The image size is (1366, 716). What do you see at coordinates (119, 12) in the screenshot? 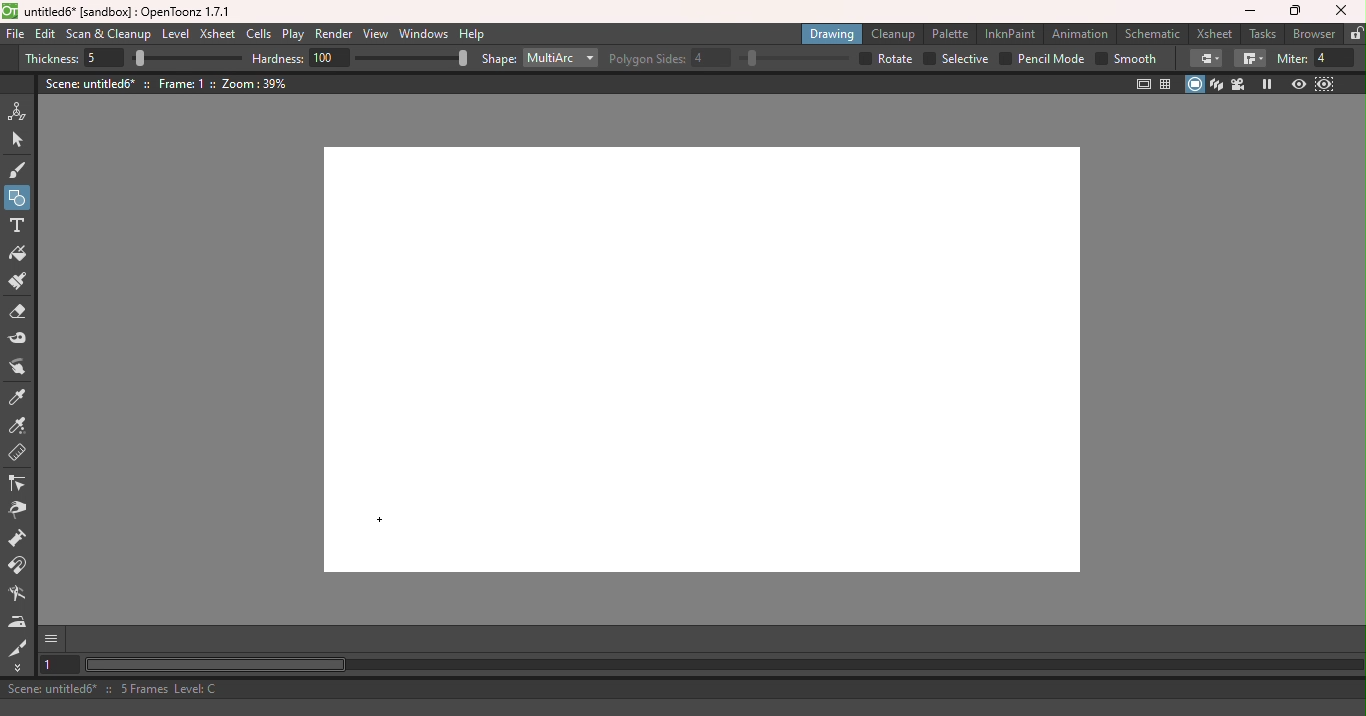
I see `untitled6* [sandbox] : OpenToonz 1.7.1` at bounding box center [119, 12].